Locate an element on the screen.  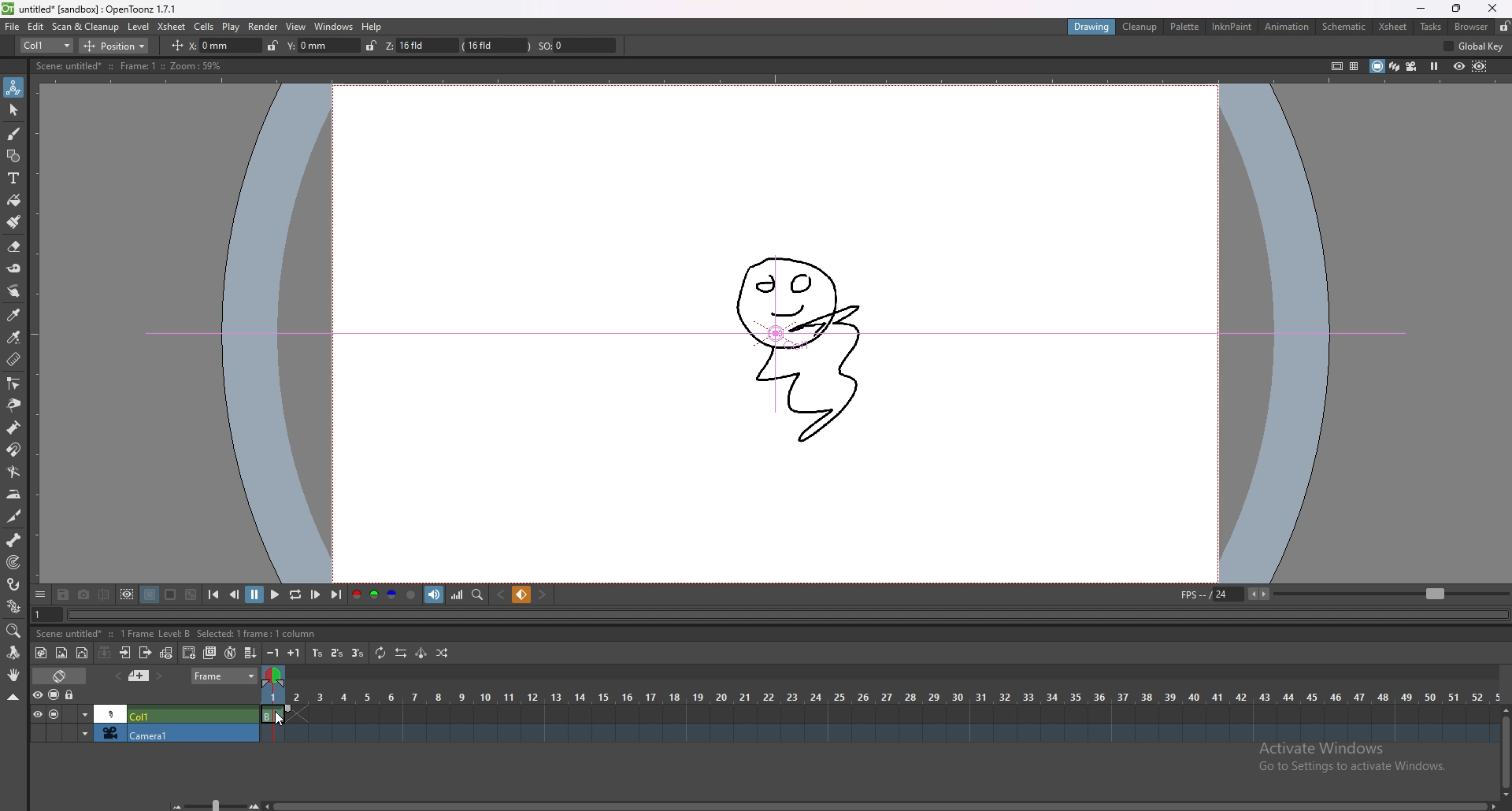
selected frame is located at coordinates (277, 712).